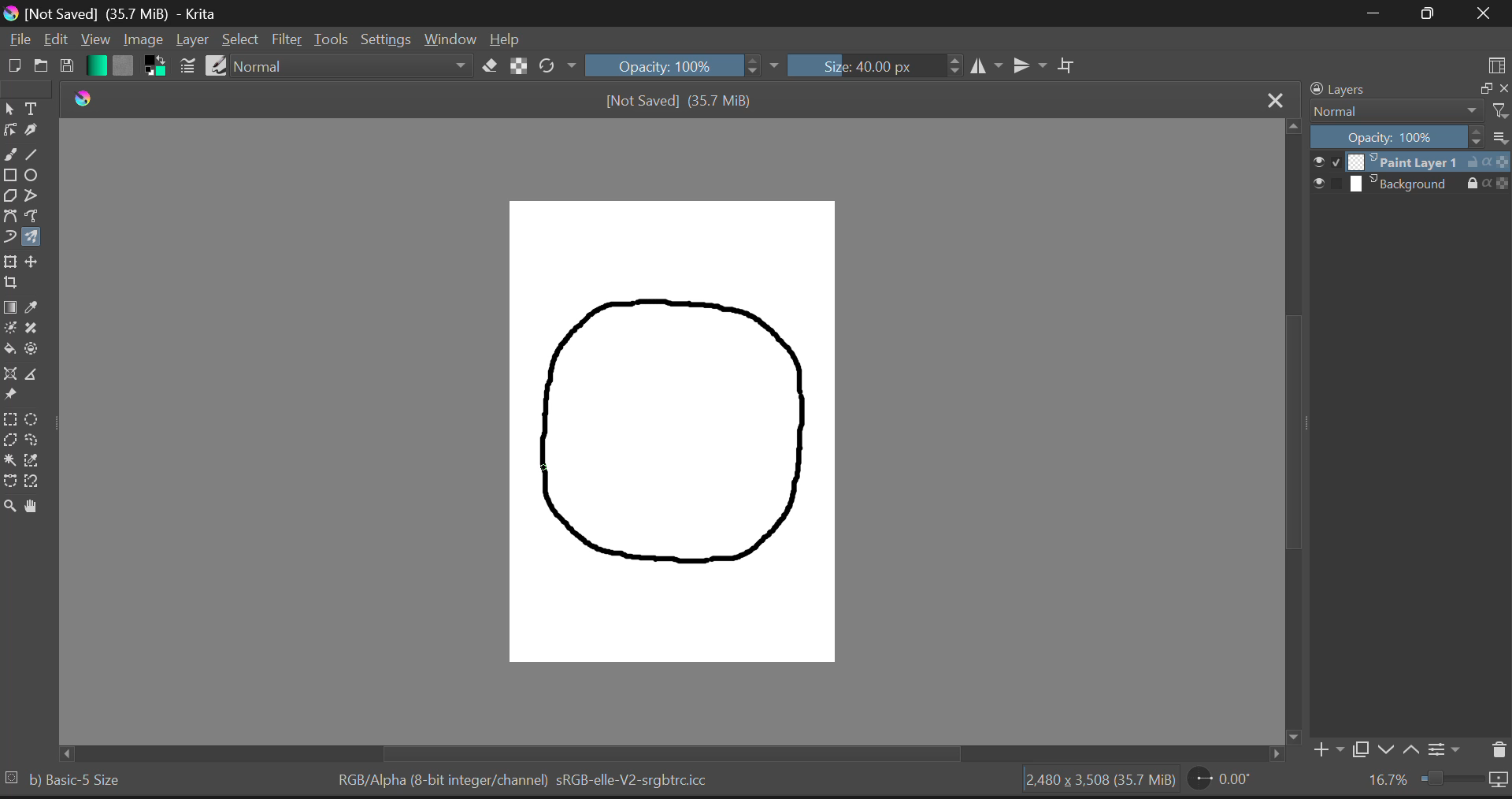 The width and height of the screenshot is (1512, 799). What do you see at coordinates (658, 754) in the screenshot?
I see `Scroll Bar` at bounding box center [658, 754].